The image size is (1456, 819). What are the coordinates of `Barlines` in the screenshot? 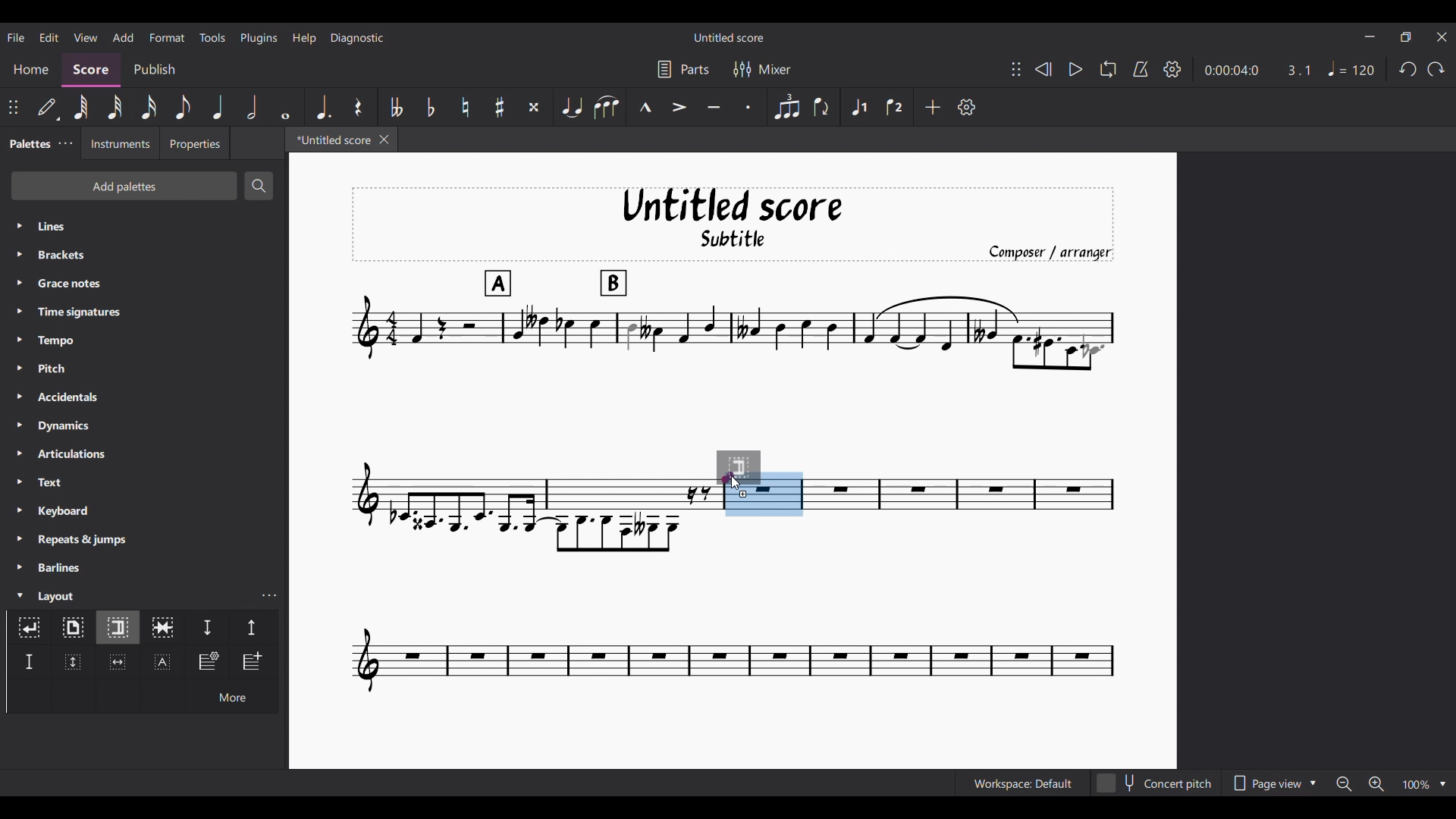 It's located at (144, 567).